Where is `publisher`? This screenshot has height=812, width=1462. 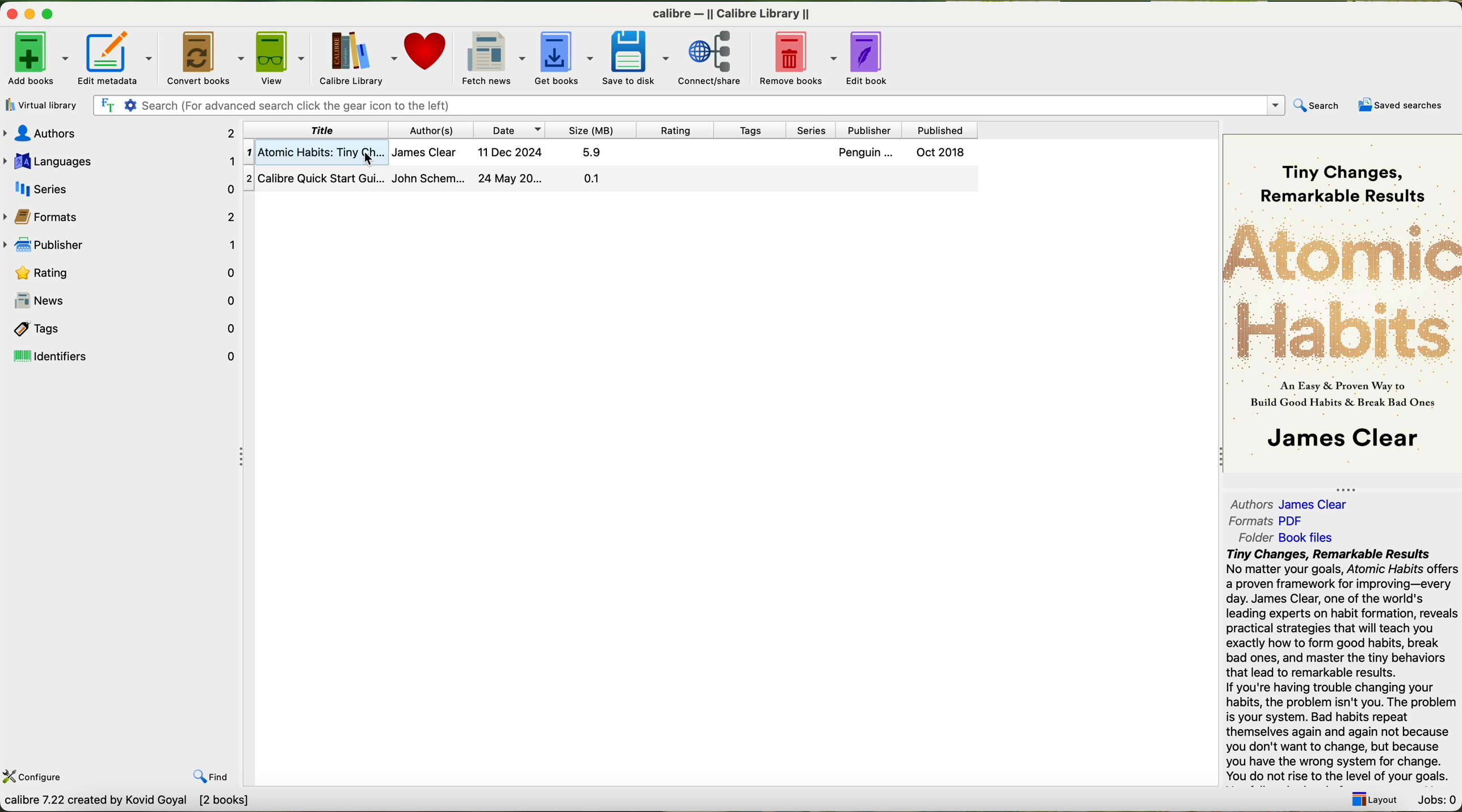
publisher is located at coordinates (870, 130).